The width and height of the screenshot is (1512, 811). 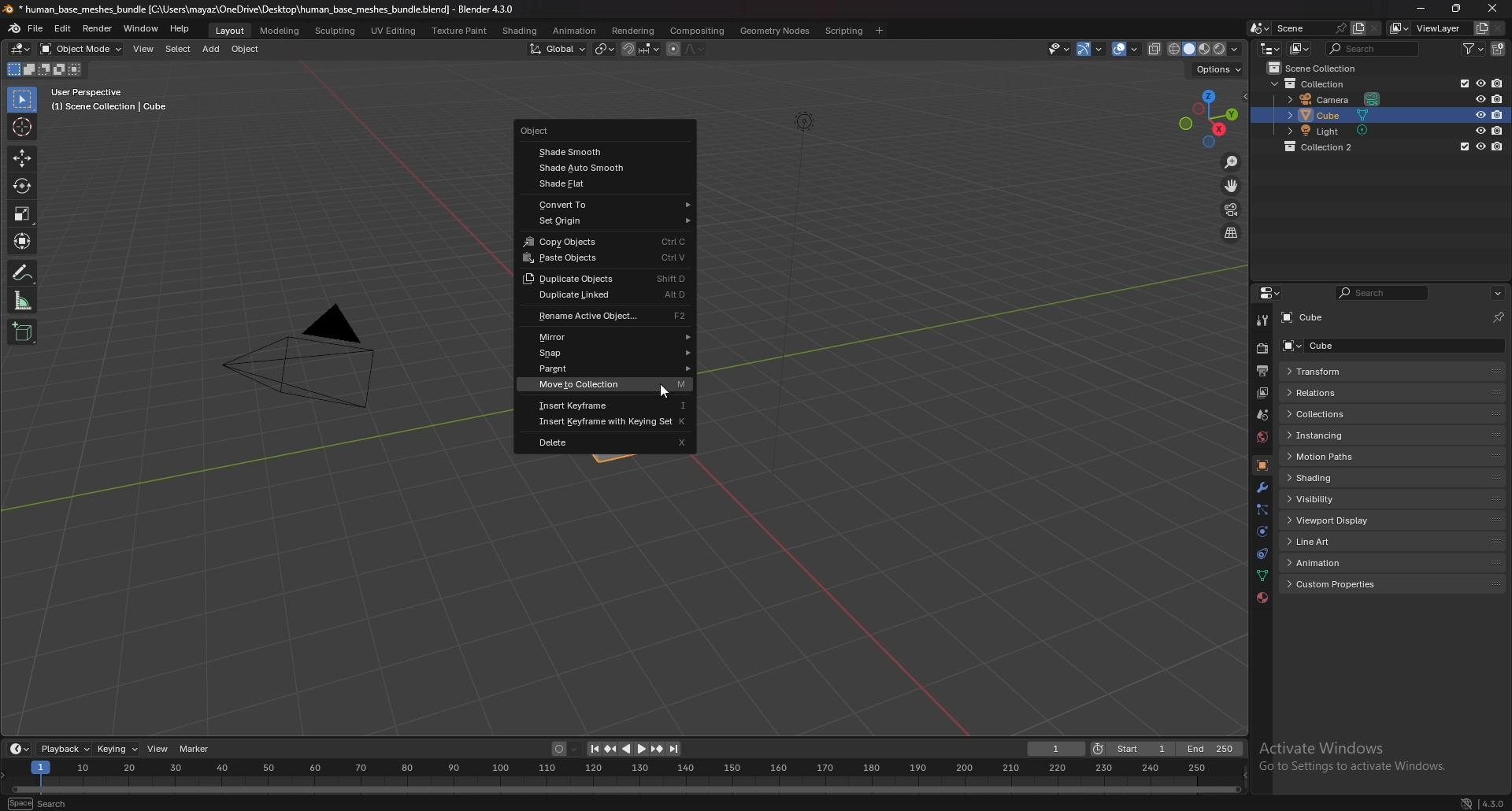 What do you see at coordinates (641, 49) in the screenshot?
I see `snapping` at bounding box center [641, 49].